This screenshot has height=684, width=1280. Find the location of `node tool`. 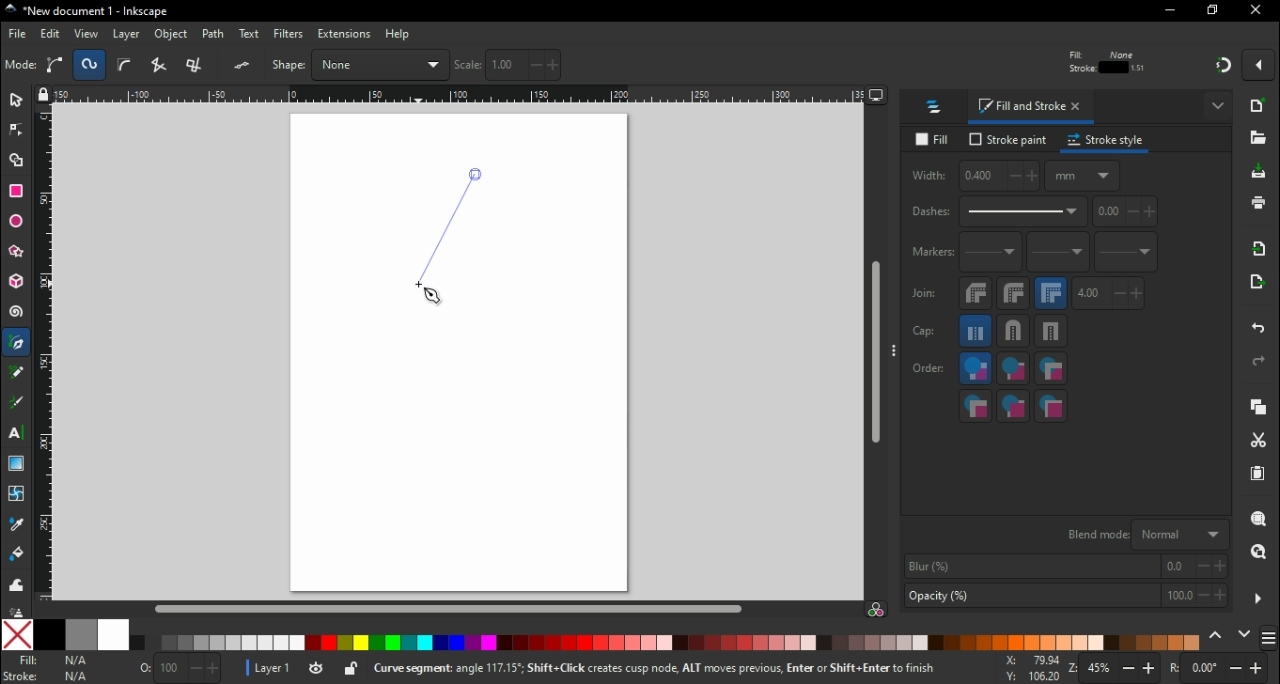

node tool is located at coordinates (16, 135).